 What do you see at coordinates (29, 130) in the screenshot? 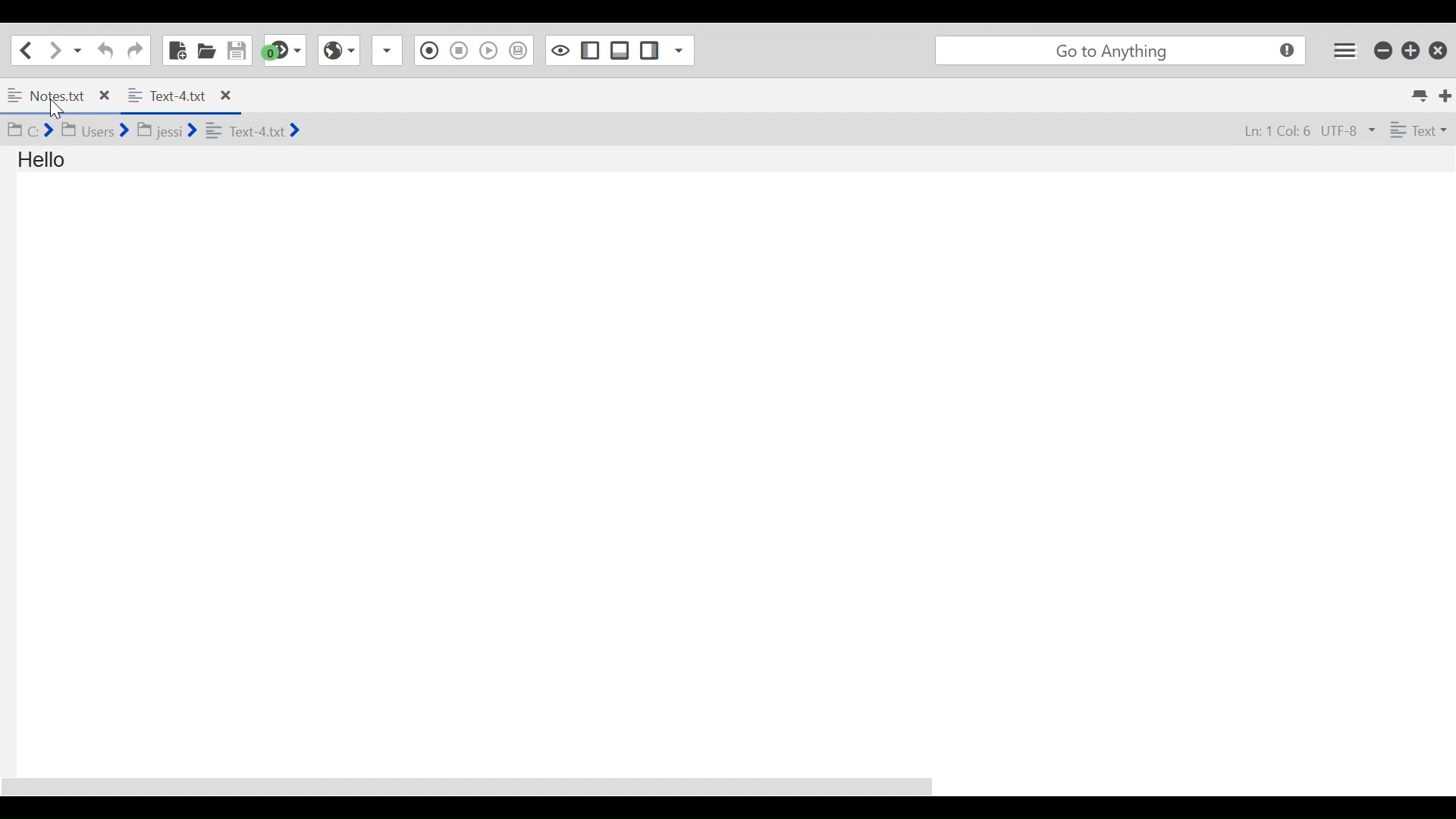
I see `c:` at bounding box center [29, 130].